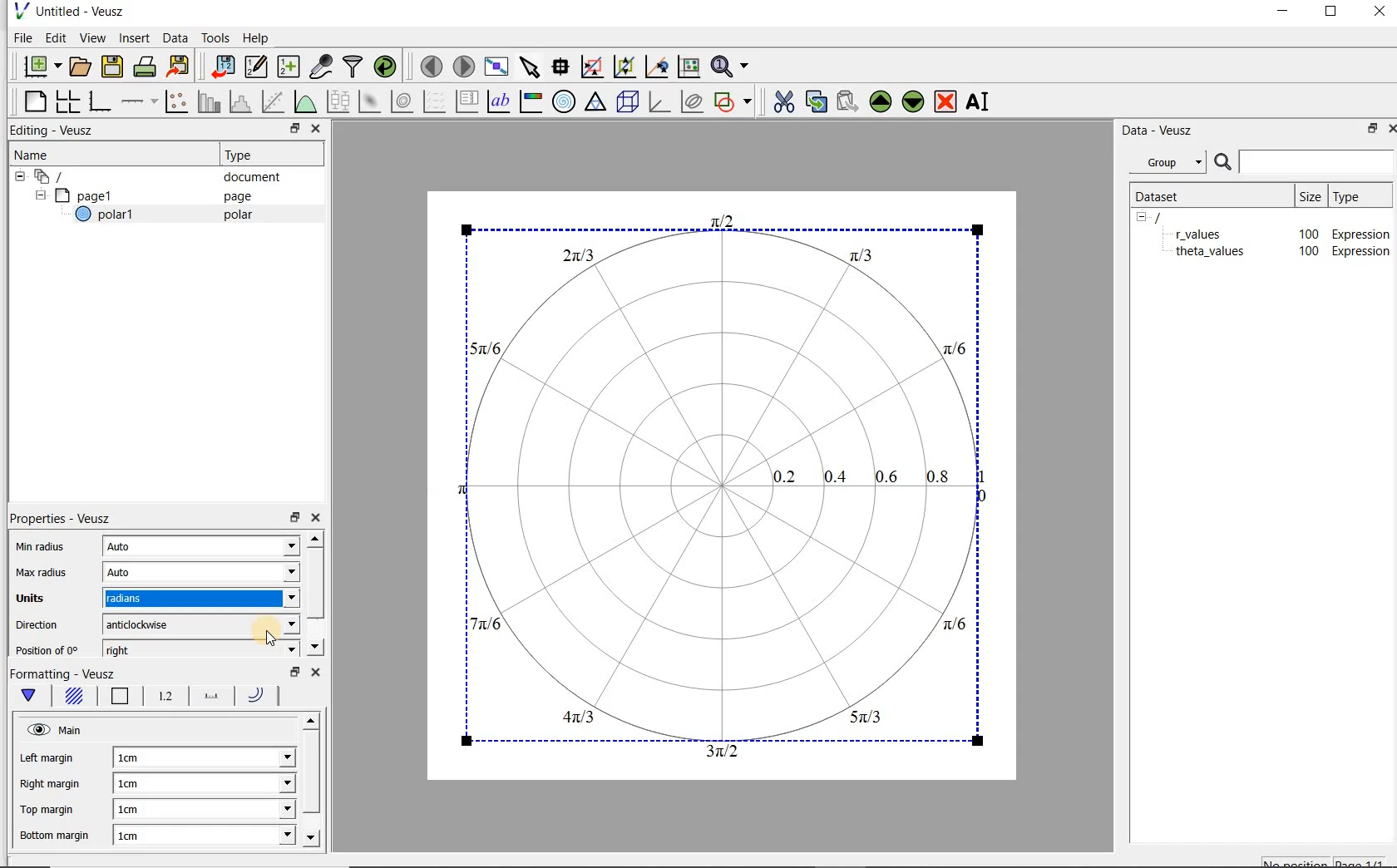 The height and width of the screenshot is (868, 1397). I want to click on Plot points with lines and error bars, so click(178, 101).